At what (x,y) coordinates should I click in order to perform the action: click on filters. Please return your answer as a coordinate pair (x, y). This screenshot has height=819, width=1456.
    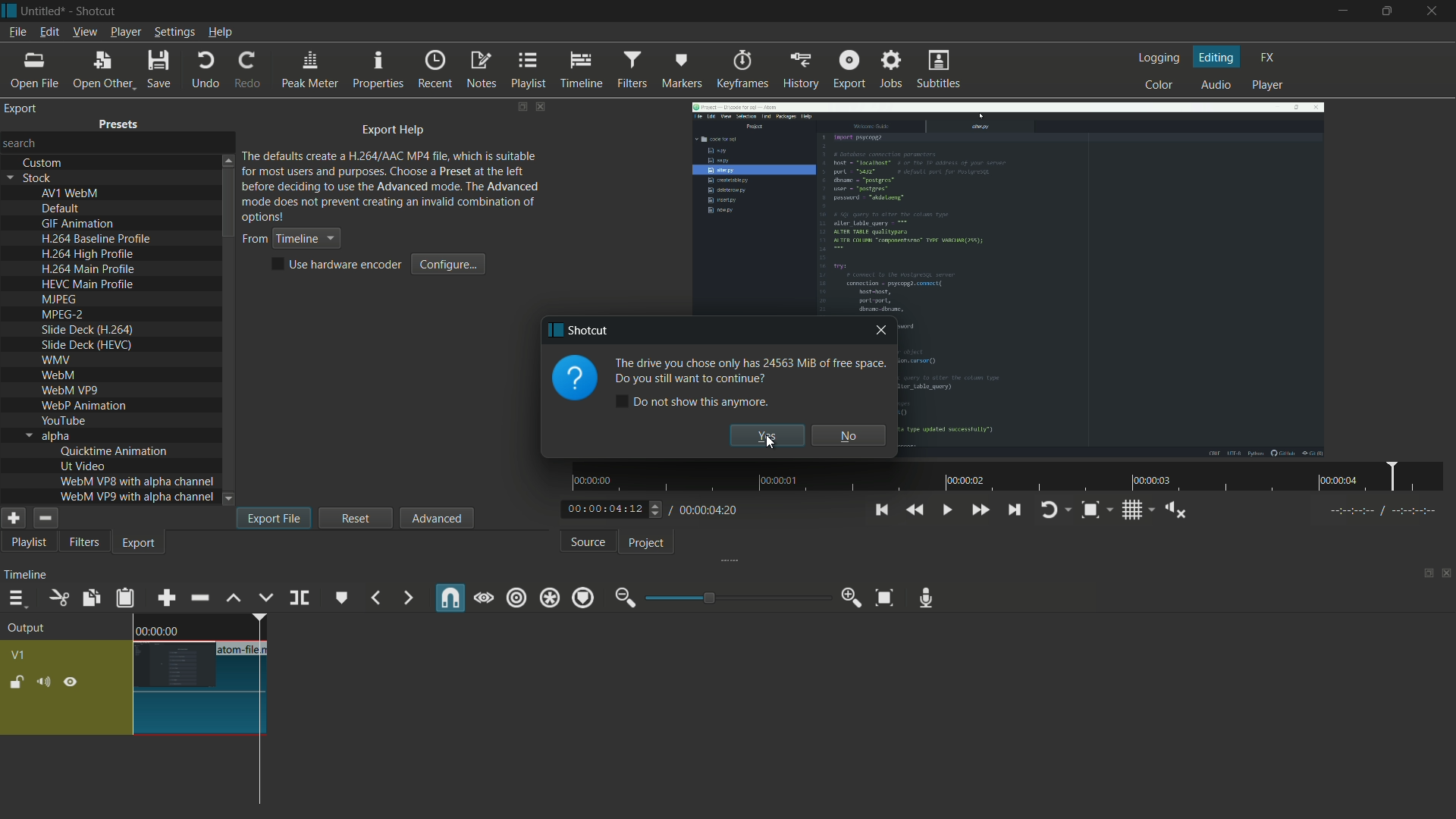
    Looking at the image, I should click on (84, 543).